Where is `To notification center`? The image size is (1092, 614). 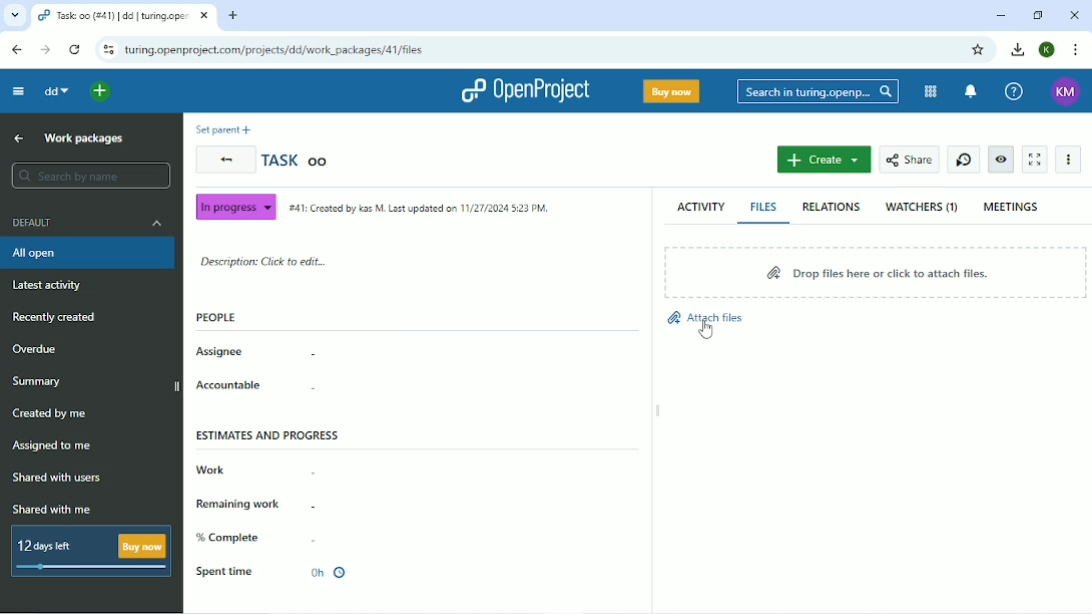
To notification center is located at coordinates (973, 91).